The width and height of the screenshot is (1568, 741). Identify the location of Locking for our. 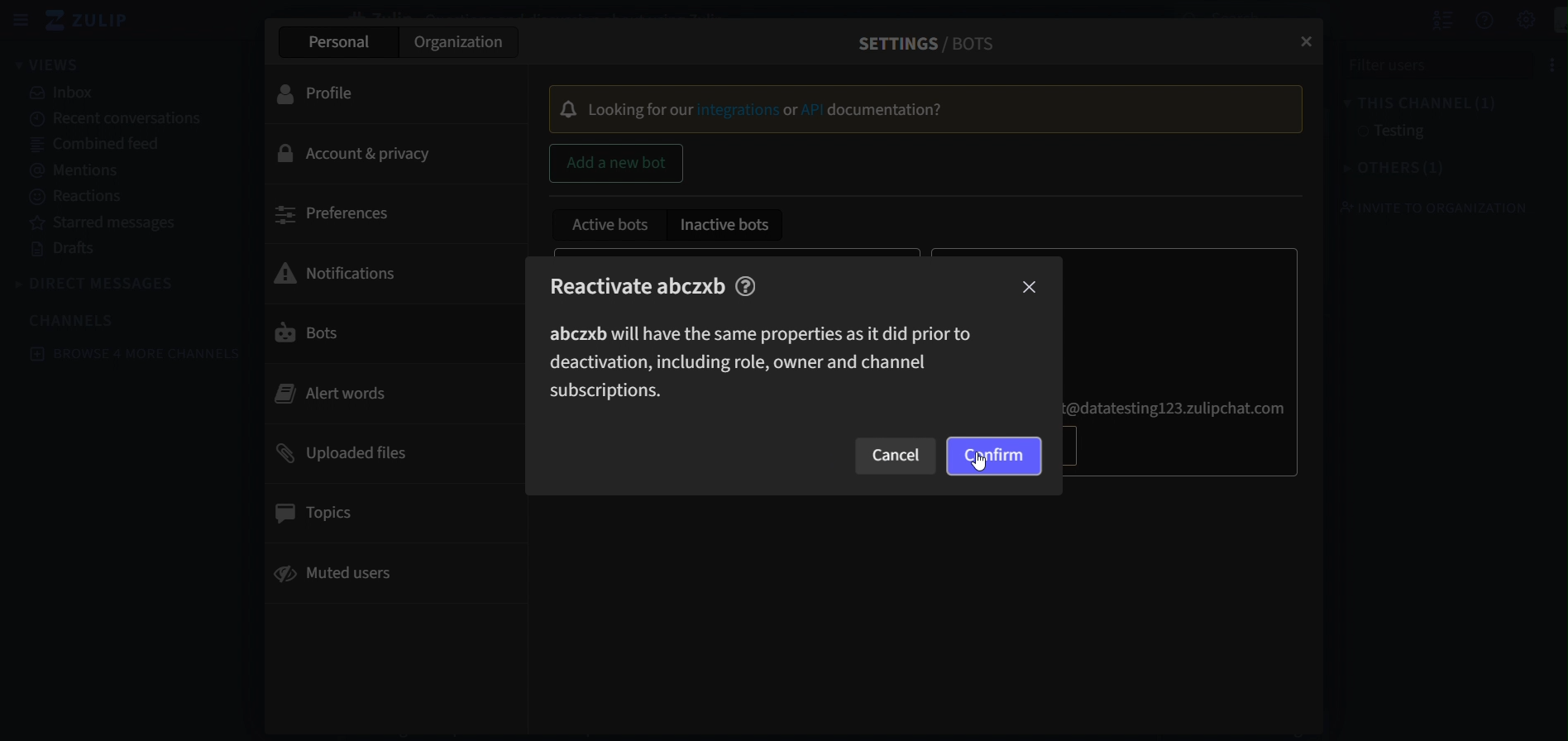
(638, 109).